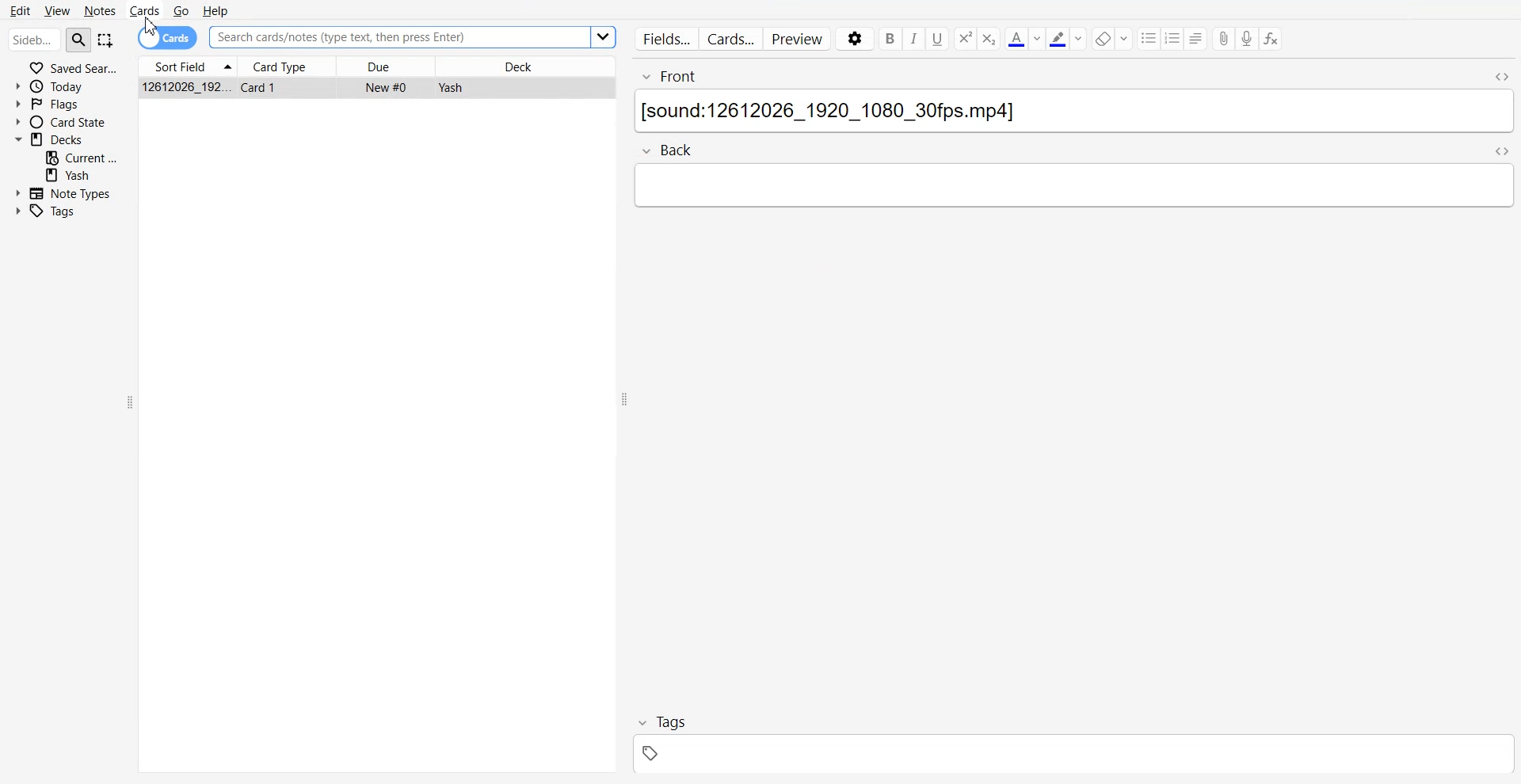 The height and width of the screenshot is (784, 1521). Describe the element at coordinates (1072, 113) in the screenshot. I see `Text` at that location.